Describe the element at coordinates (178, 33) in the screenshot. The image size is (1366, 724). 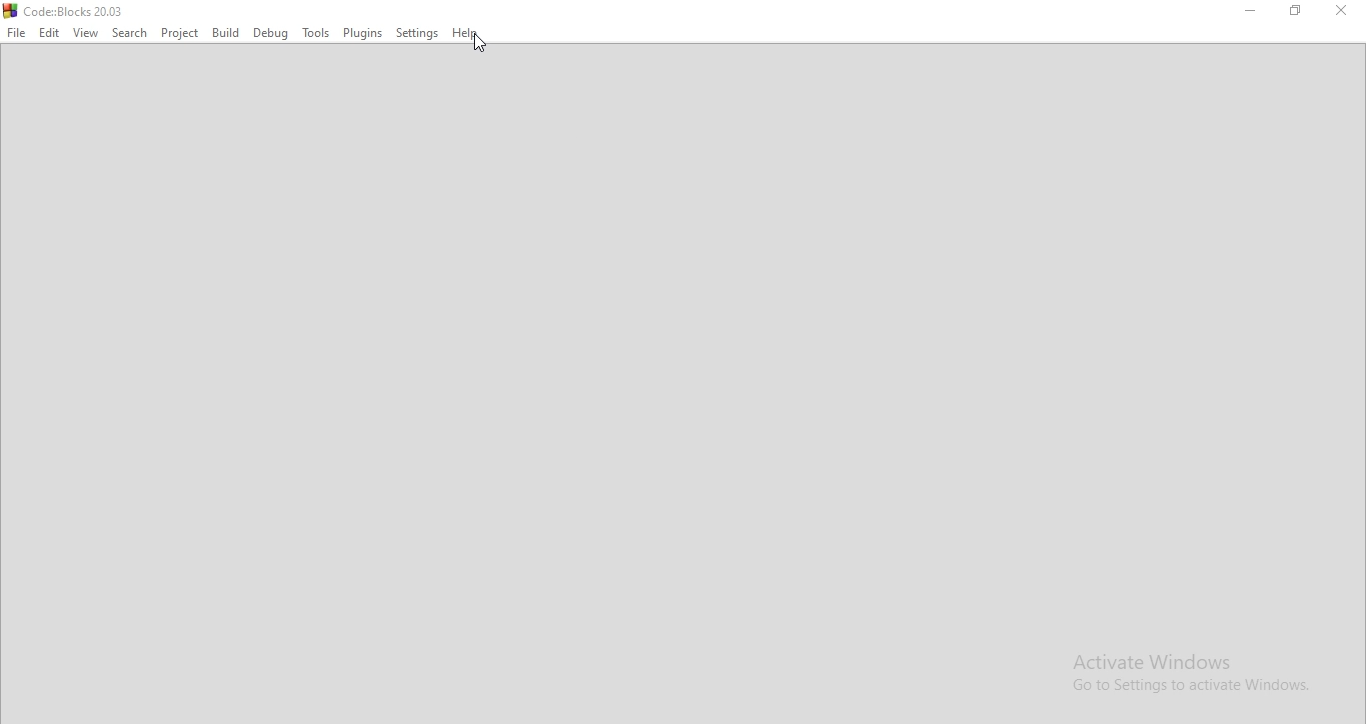
I see `Project ` at that location.